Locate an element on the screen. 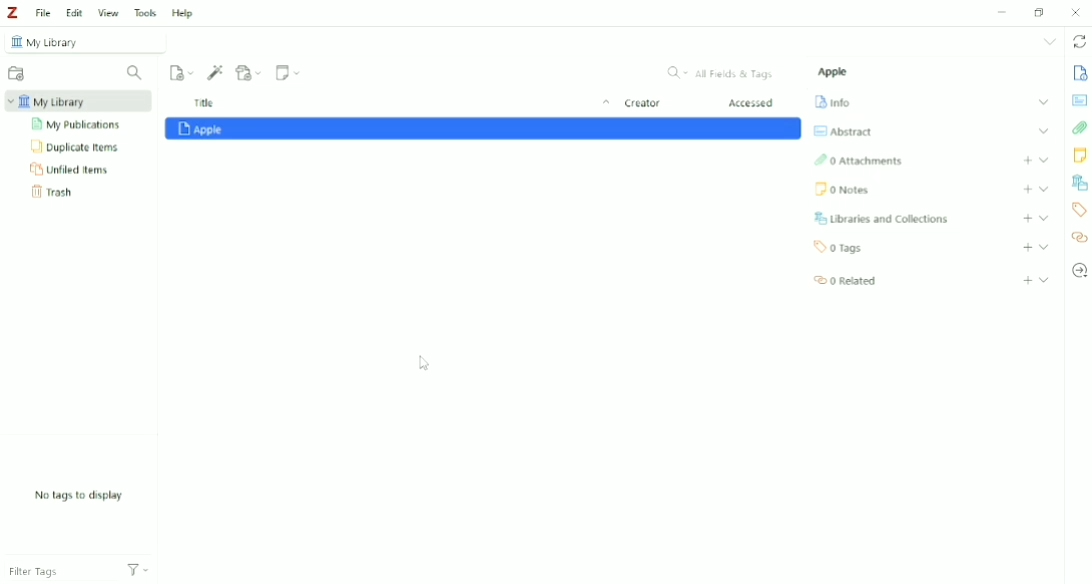 The width and height of the screenshot is (1092, 584). Related is located at coordinates (845, 281).